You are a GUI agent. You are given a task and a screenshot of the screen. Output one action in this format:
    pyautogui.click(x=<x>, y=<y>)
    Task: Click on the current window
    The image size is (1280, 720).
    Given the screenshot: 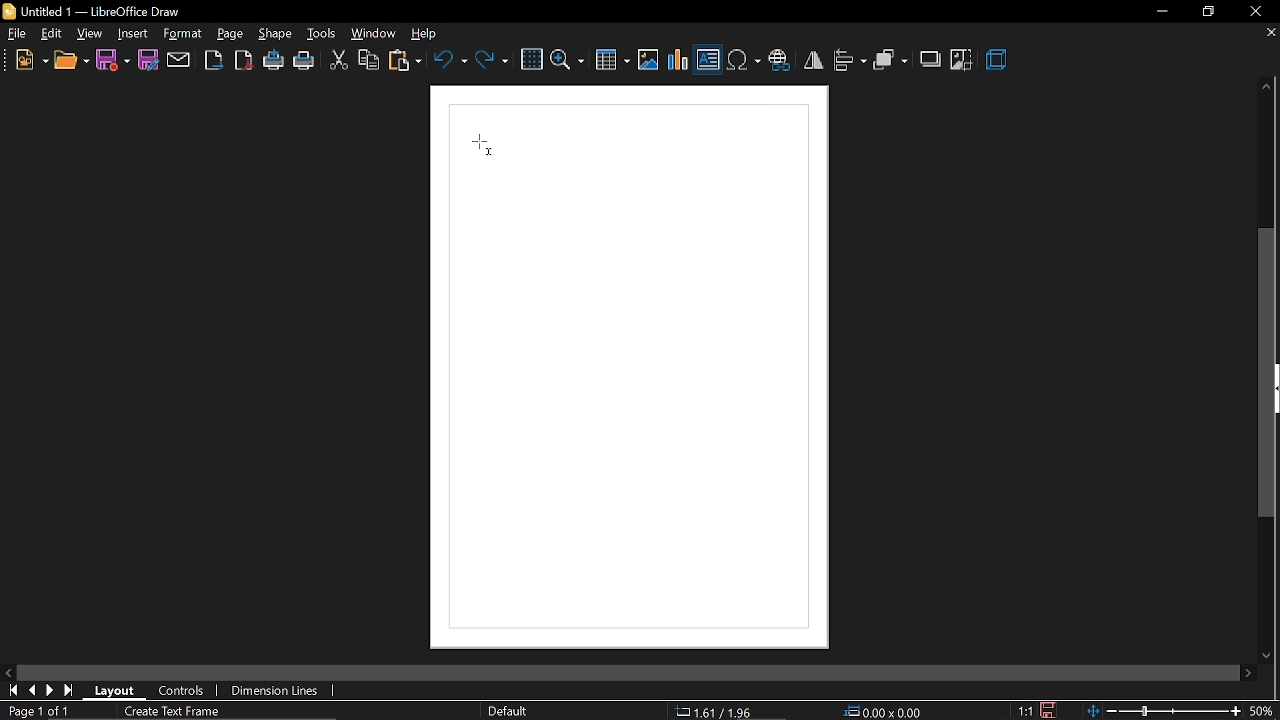 What is the action you would take?
    pyautogui.click(x=96, y=11)
    